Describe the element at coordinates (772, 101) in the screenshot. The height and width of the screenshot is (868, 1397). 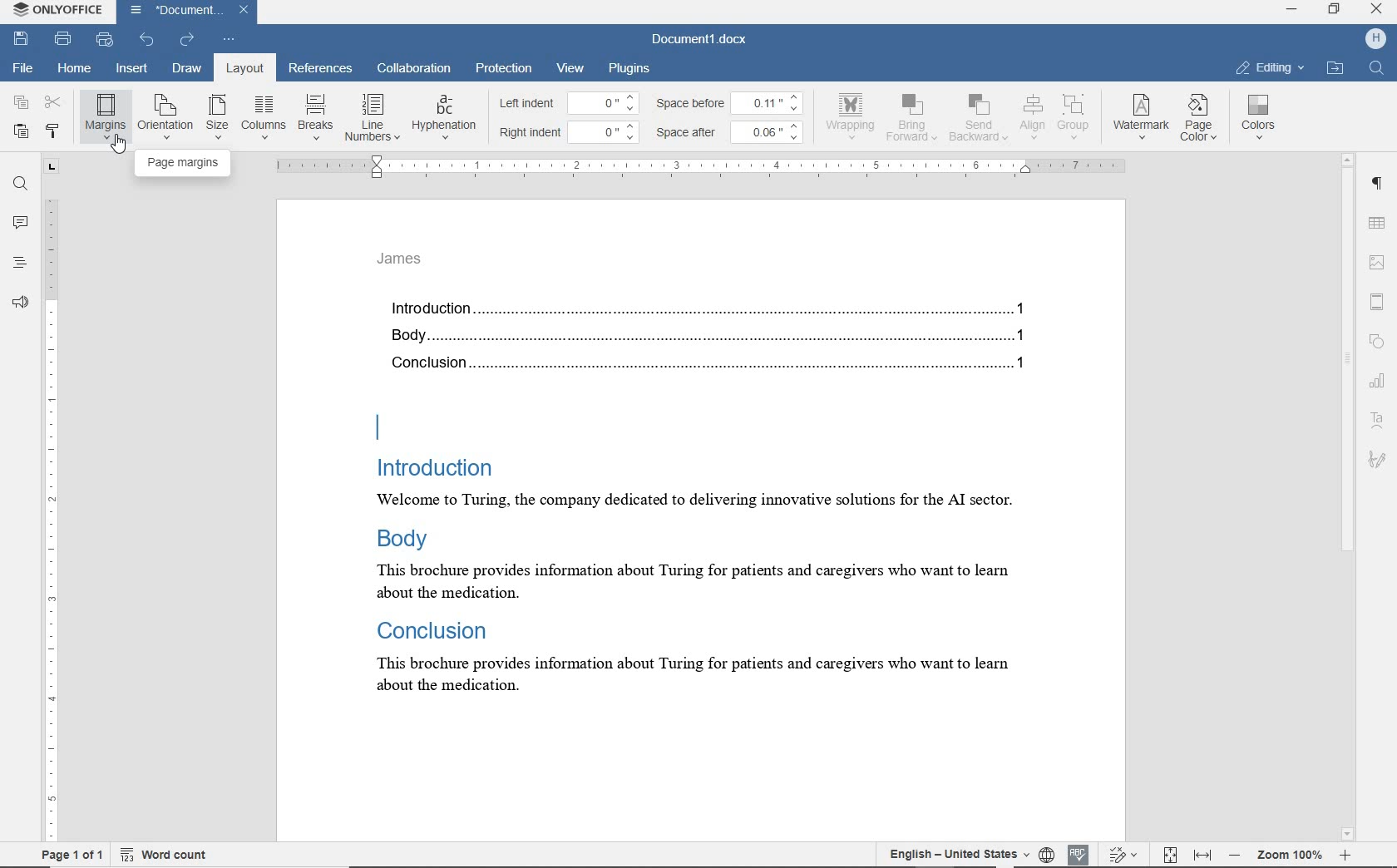
I see `0.11` at that location.